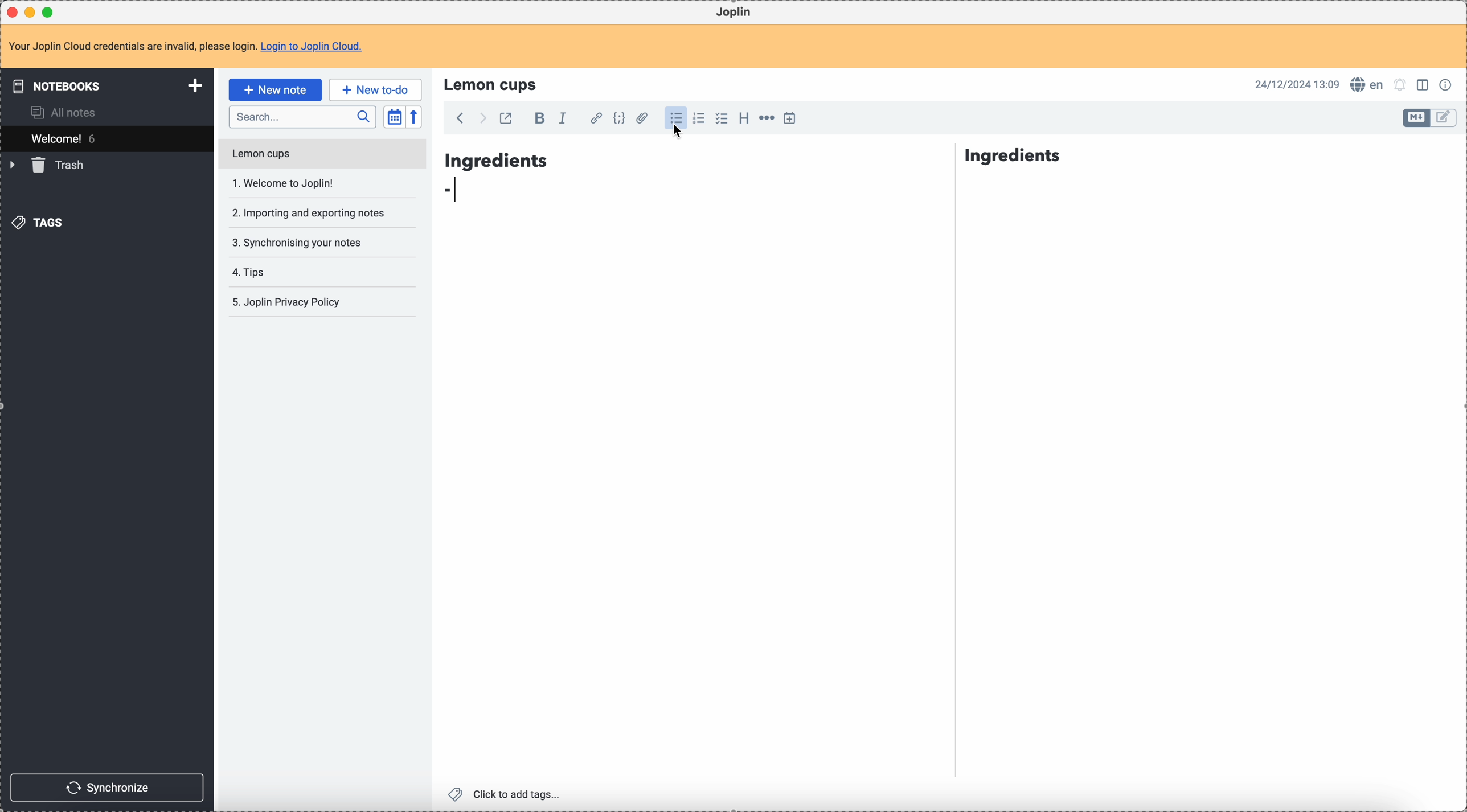 This screenshot has height=812, width=1467. Describe the element at coordinates (1297, 84) in the screenshot. I see `date and hour` at that location.